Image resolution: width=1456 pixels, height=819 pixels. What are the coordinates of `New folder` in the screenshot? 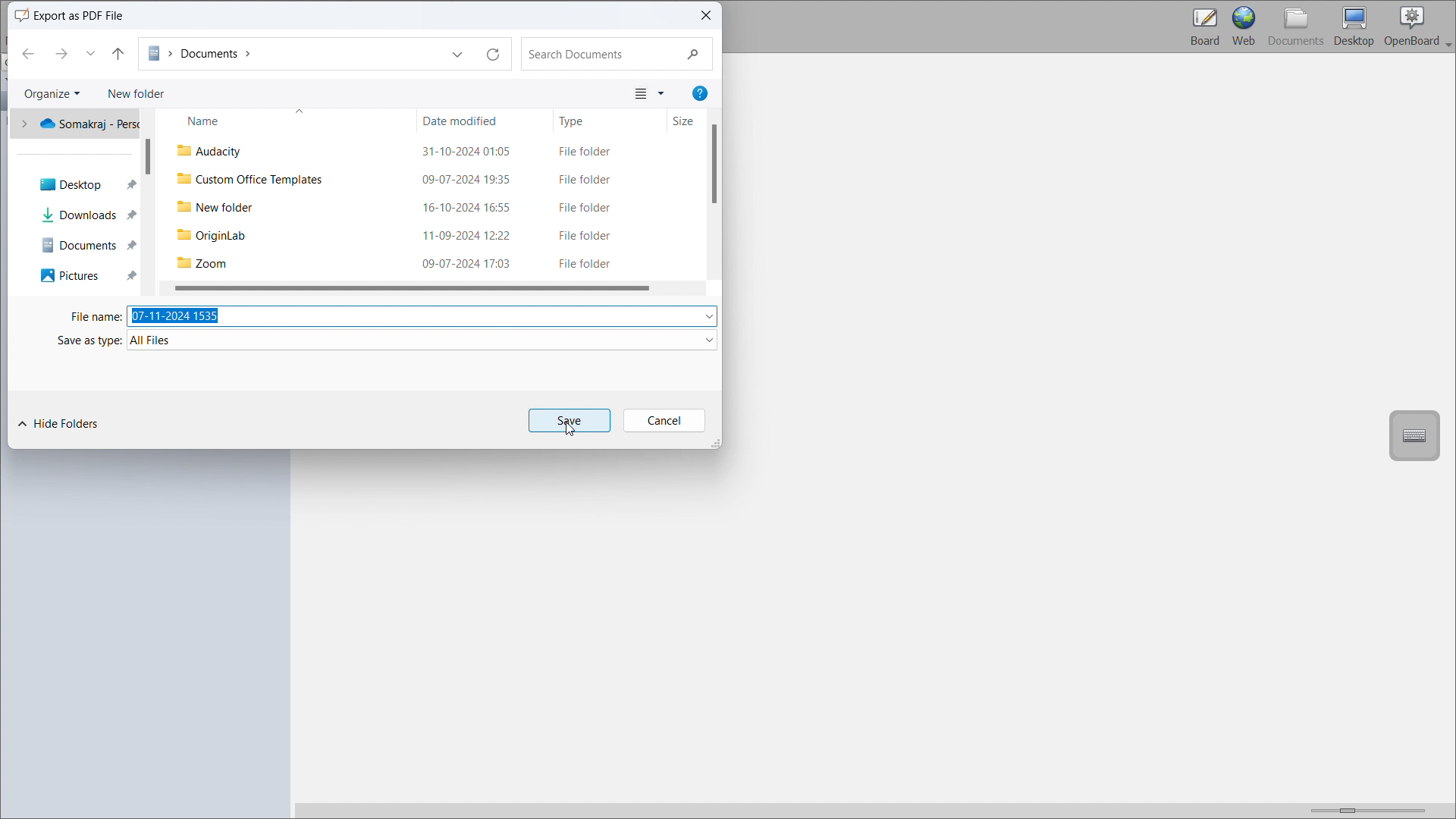 It's located at (135, 93).